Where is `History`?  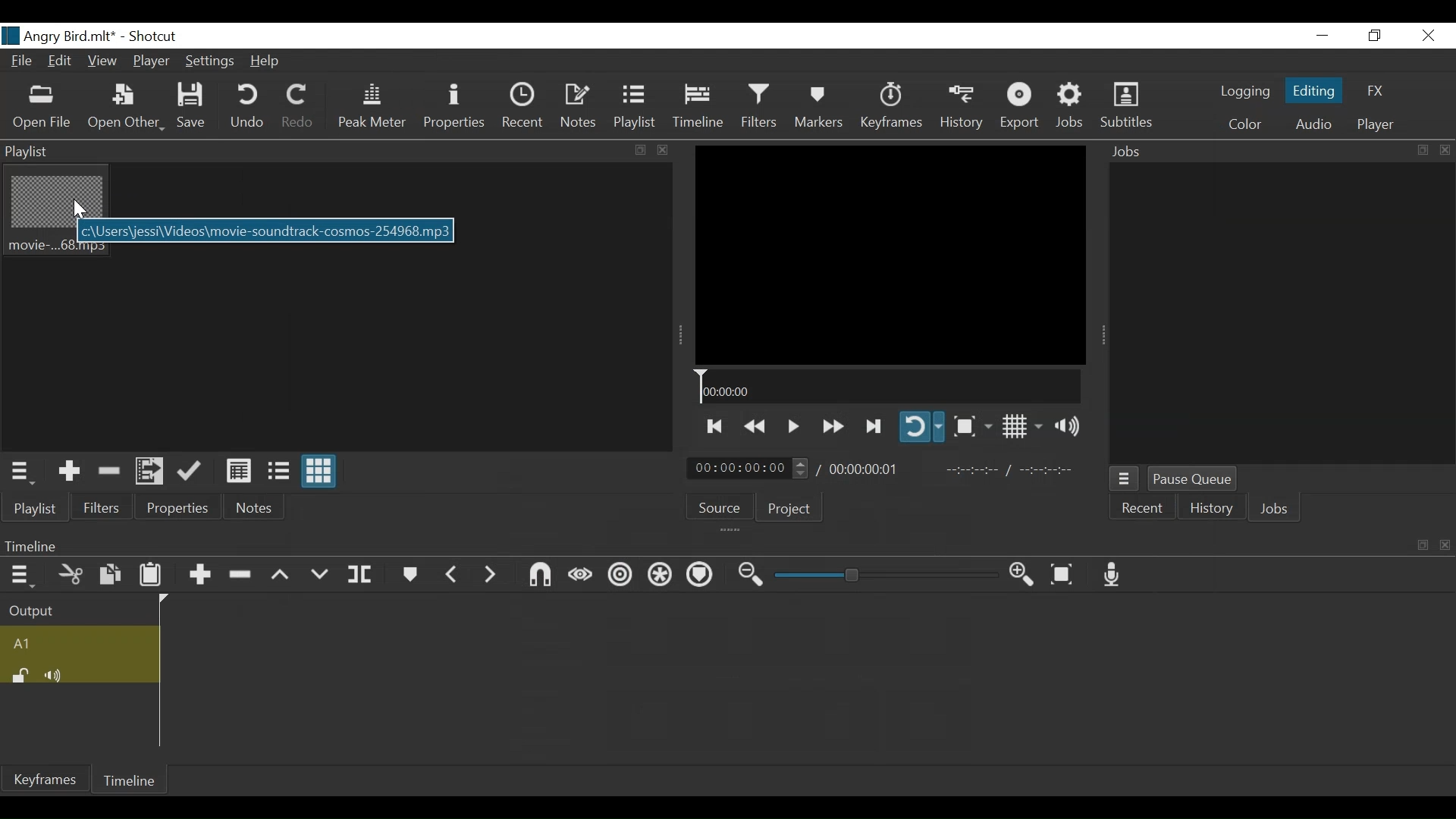
History is located at coordinates (1210, 510).